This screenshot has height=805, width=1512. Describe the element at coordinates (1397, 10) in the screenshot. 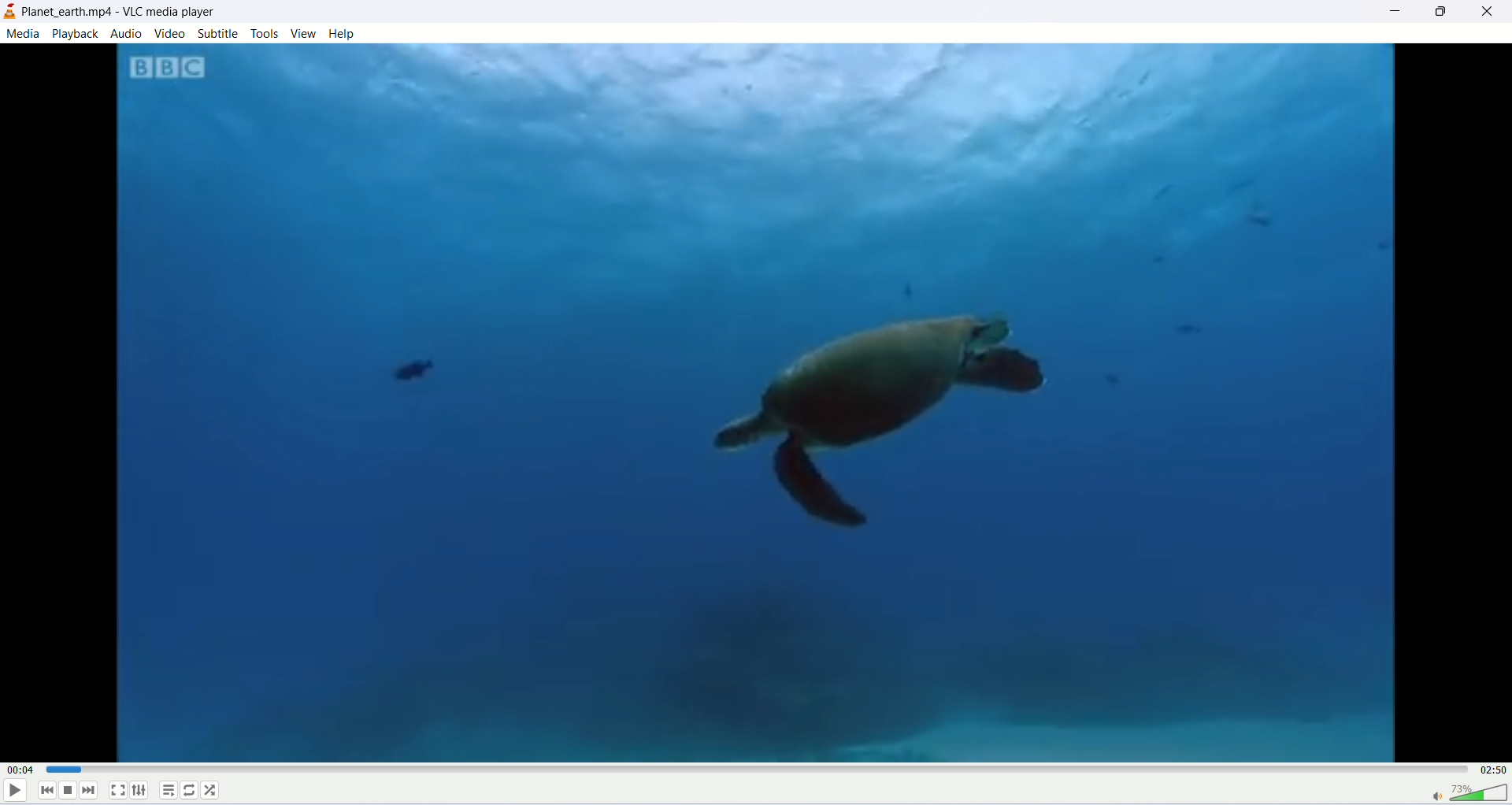

I see `minimize` at that location.